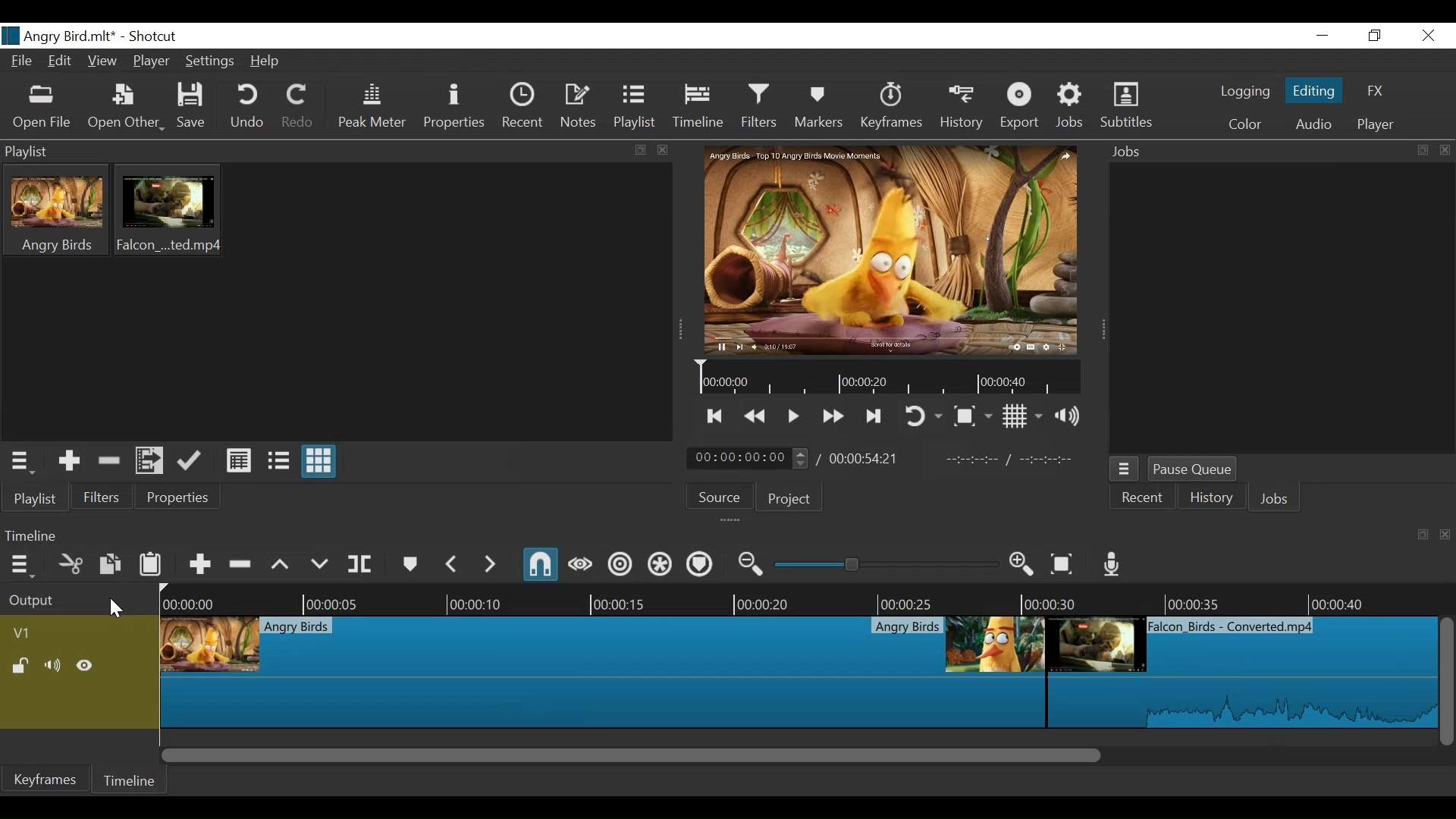 This screenshot has height=819, width=1456. Describe the element at coordinates (602, 672) in the screenshot. I see `Clip` at that location.